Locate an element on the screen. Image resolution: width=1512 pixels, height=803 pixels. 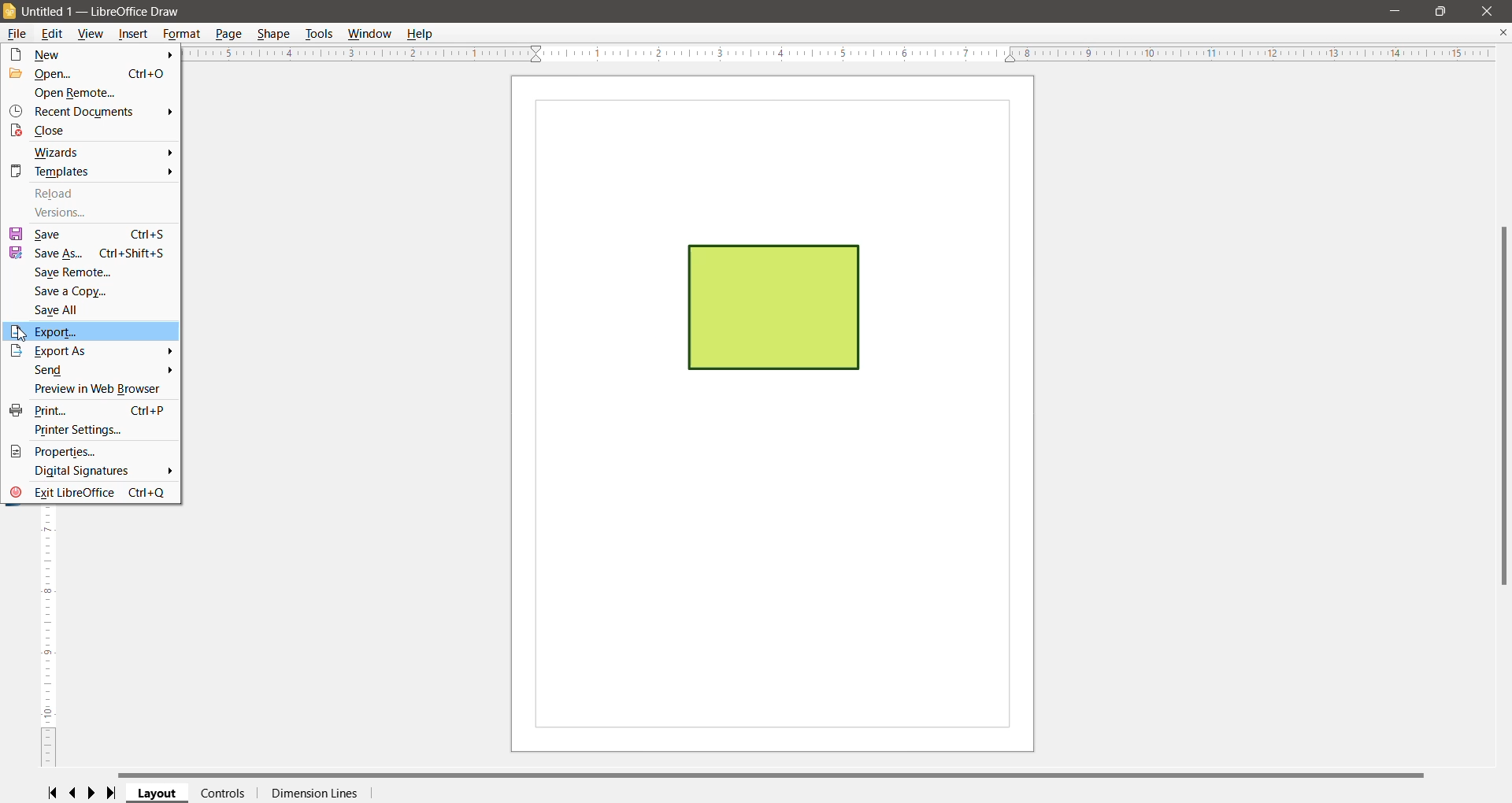
Document Title - Application Name is located at coordinates (106, 12).